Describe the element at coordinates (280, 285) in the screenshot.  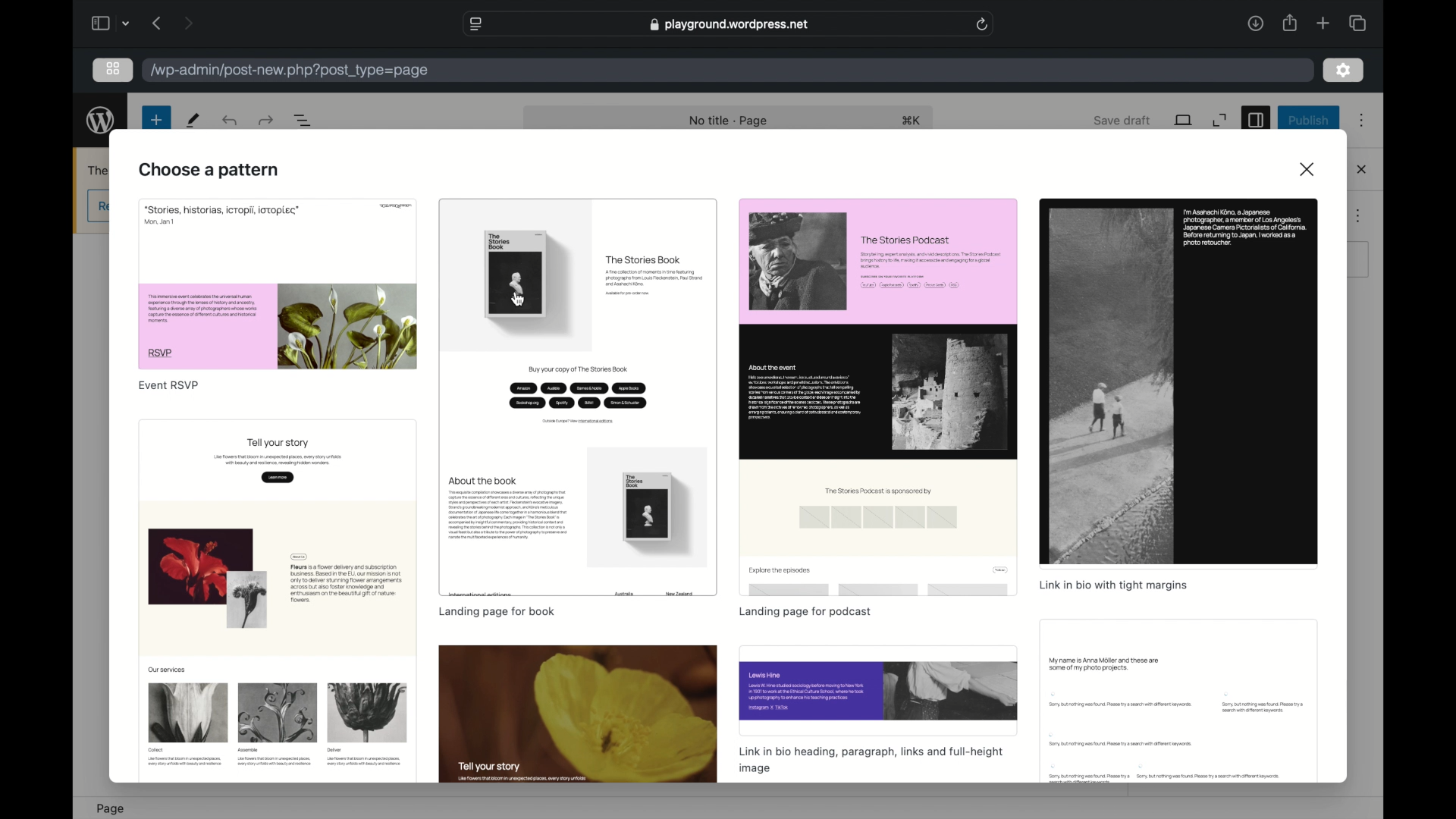
I see `preview` at that location.